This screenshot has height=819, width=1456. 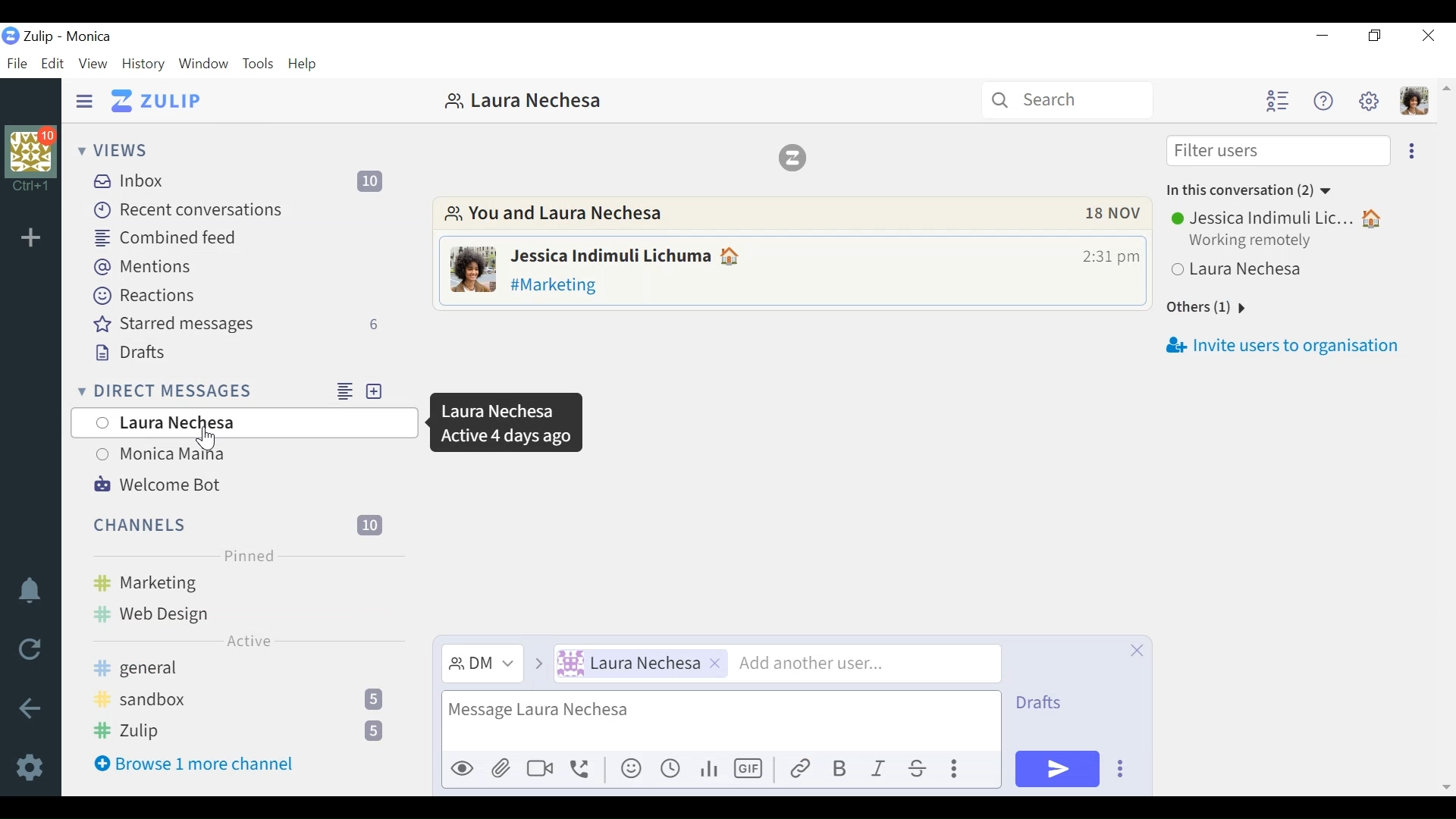 What do you see at coordinates (1054, 768) in the screenshot?
I see `Send` at bounding box center [1054, 768].